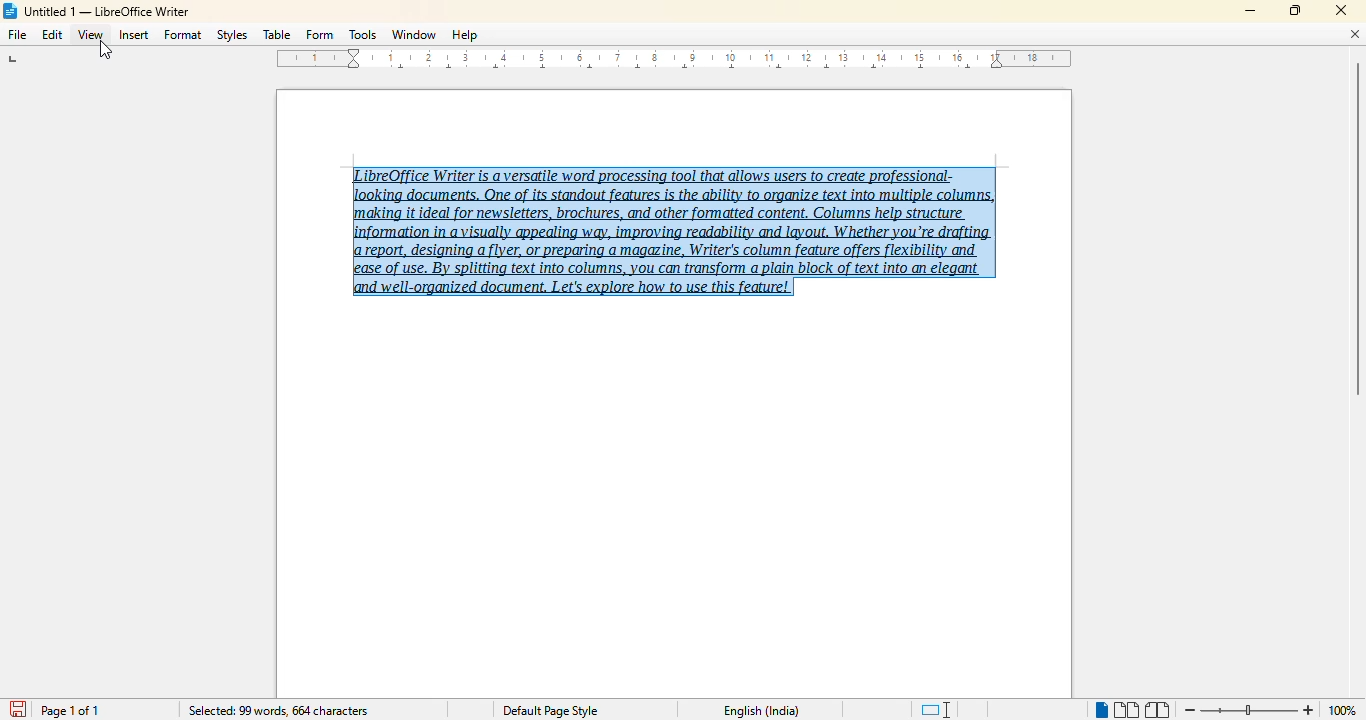 This screenshot has height=720, width=1366. What do you see at coordinates (1251, 10) in the screenshot?
I see `minimize` at bounding box center [1251, 10].